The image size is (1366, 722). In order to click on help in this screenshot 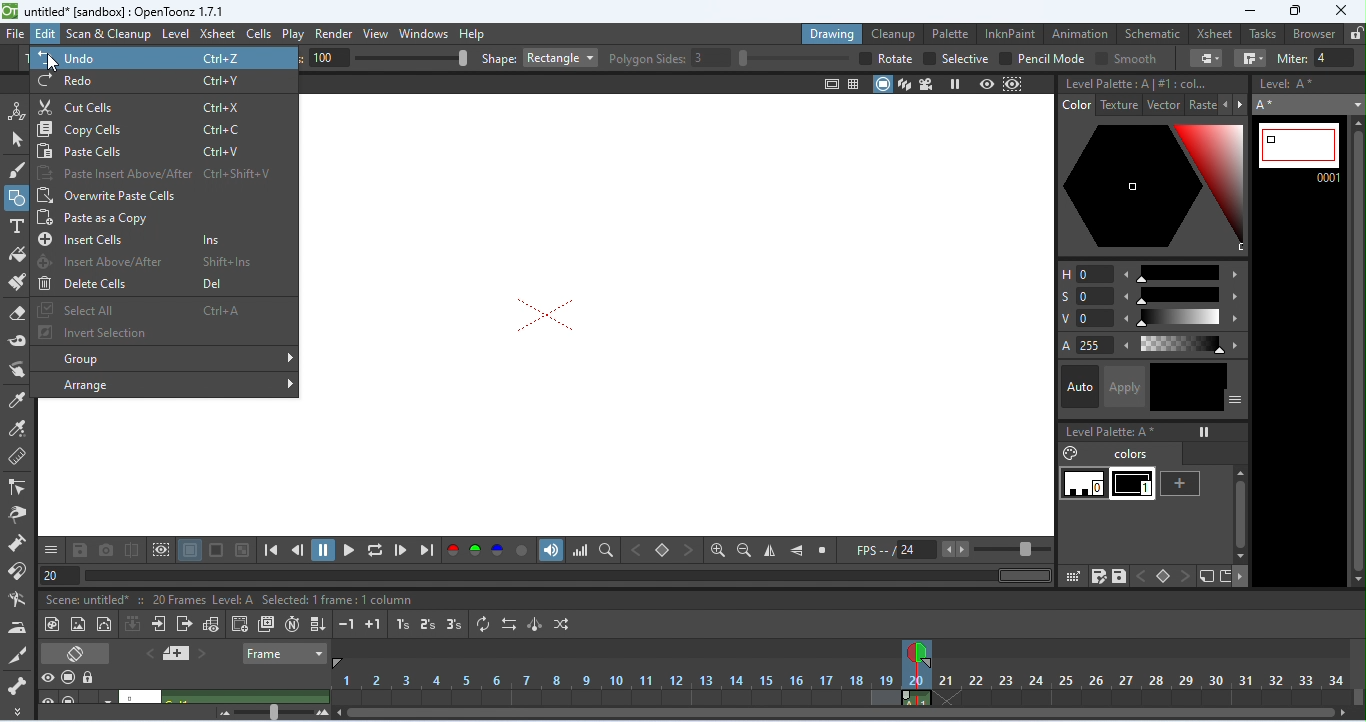, I will do `click(472, 34)`.